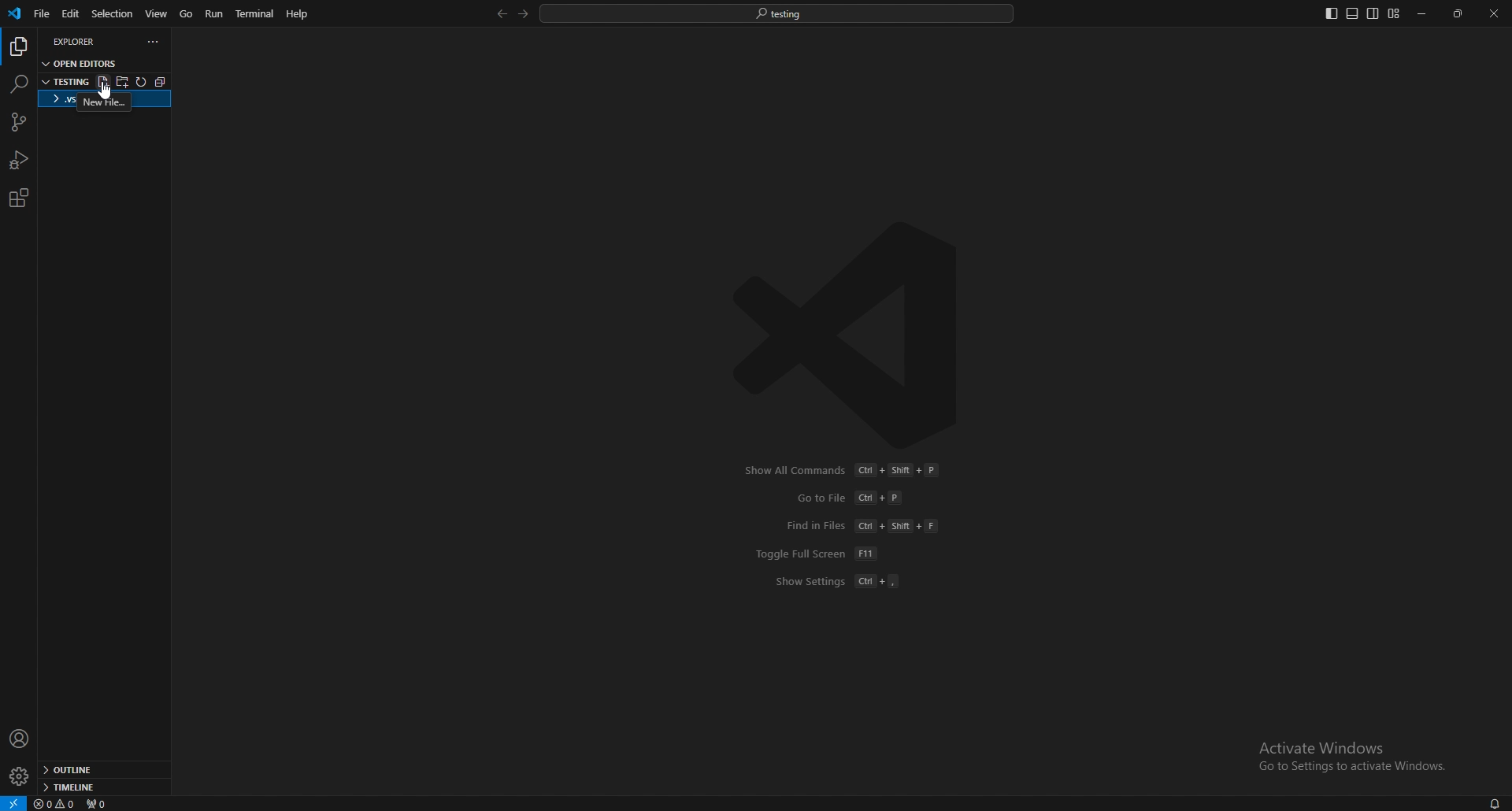  I want to click on vscode, so click(16, 13).